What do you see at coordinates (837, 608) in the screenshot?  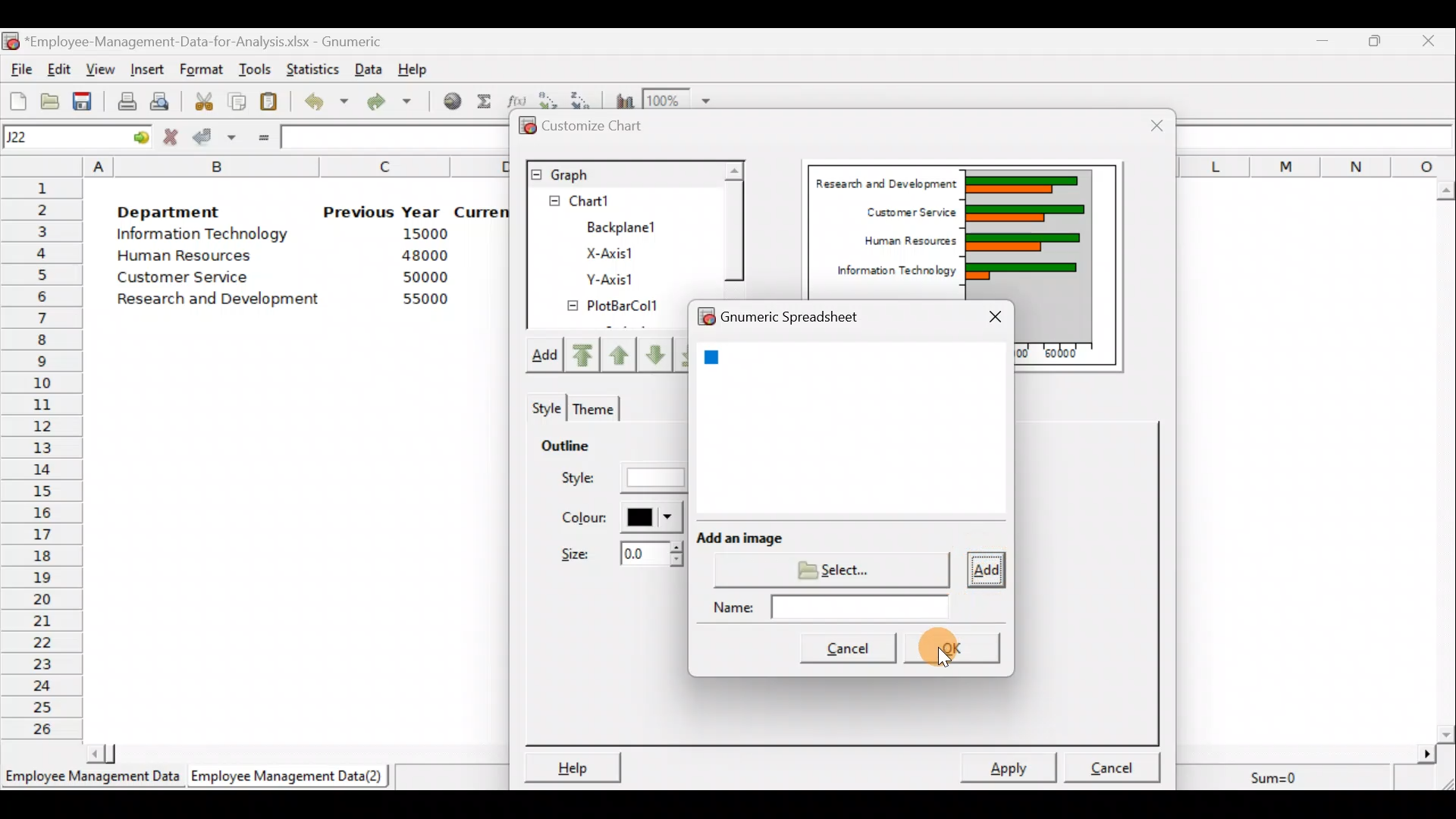 I see `Name` at bounding box center [837, 608].